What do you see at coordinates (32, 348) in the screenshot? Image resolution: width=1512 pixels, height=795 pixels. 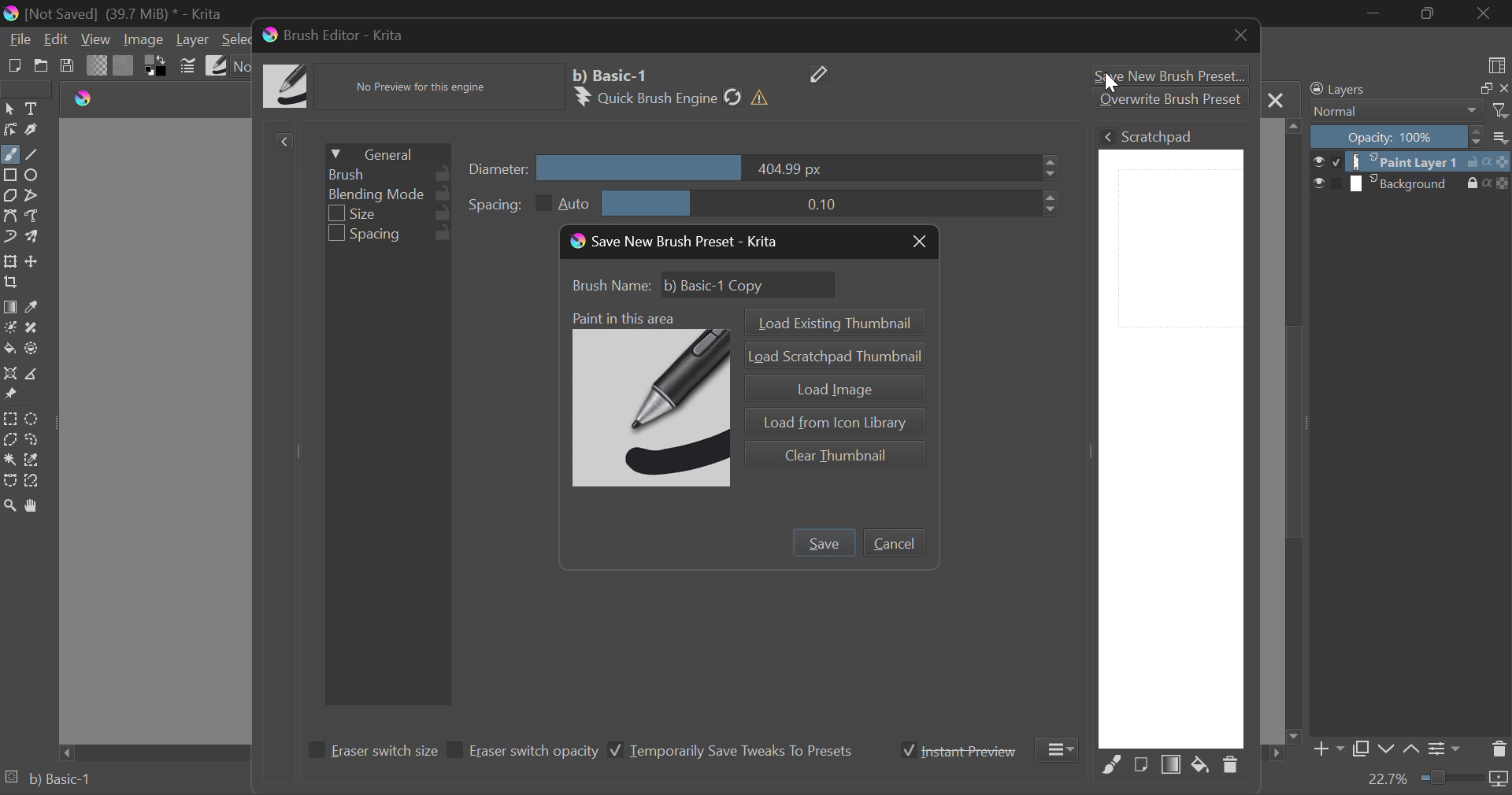 I see `Enclose & Fill` at bounding box center [32, 348].